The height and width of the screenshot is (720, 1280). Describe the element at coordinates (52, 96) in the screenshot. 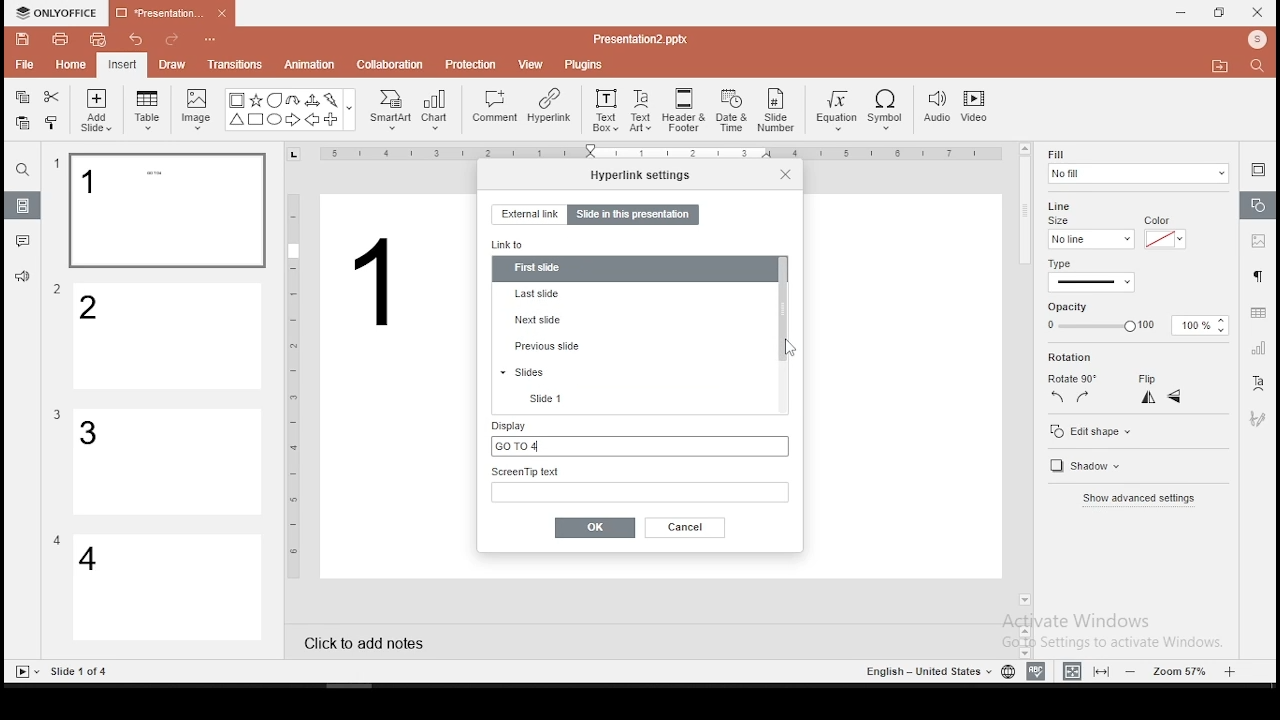

I see `cut` at that location.